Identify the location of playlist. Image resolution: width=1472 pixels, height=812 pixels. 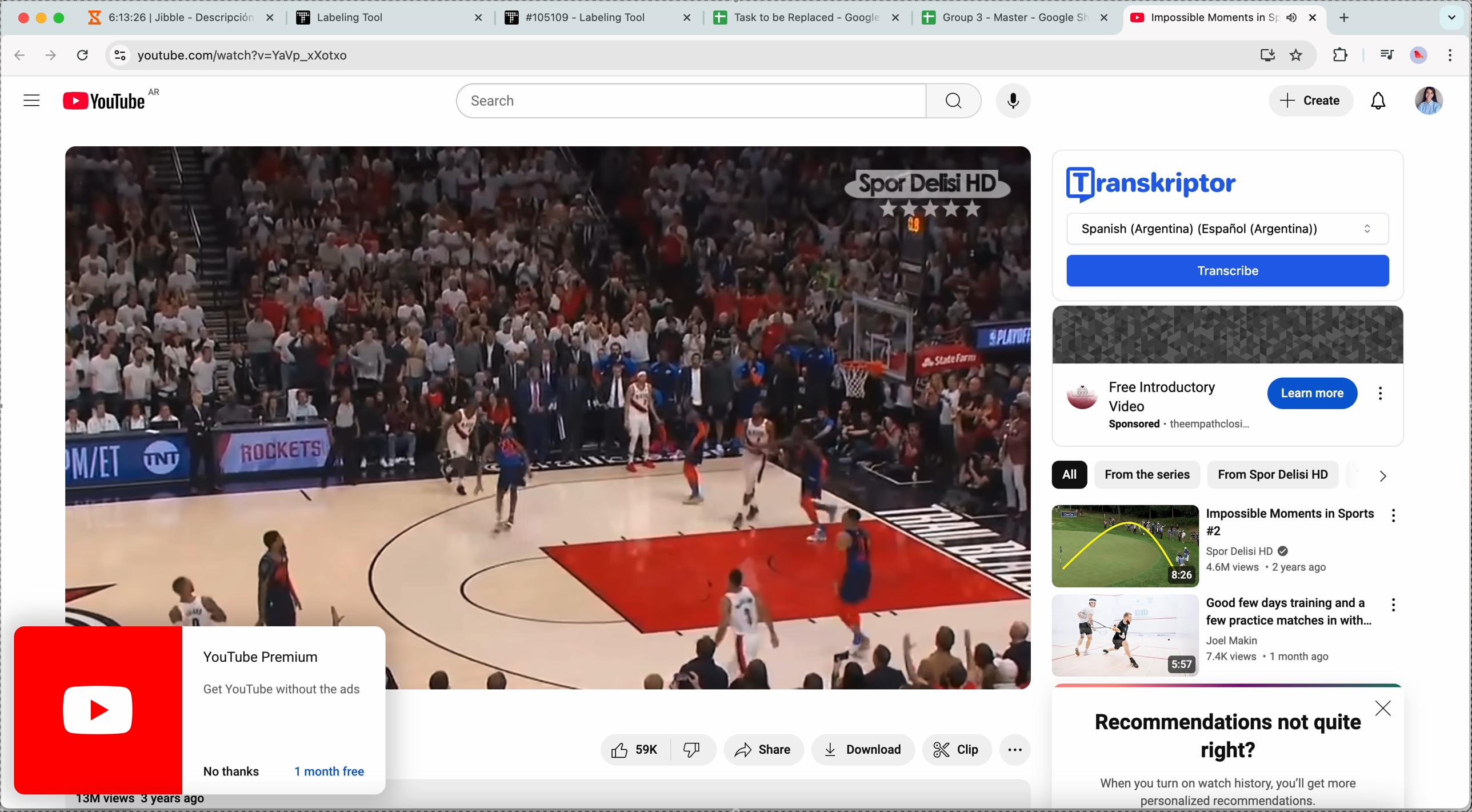
(1386, 55).